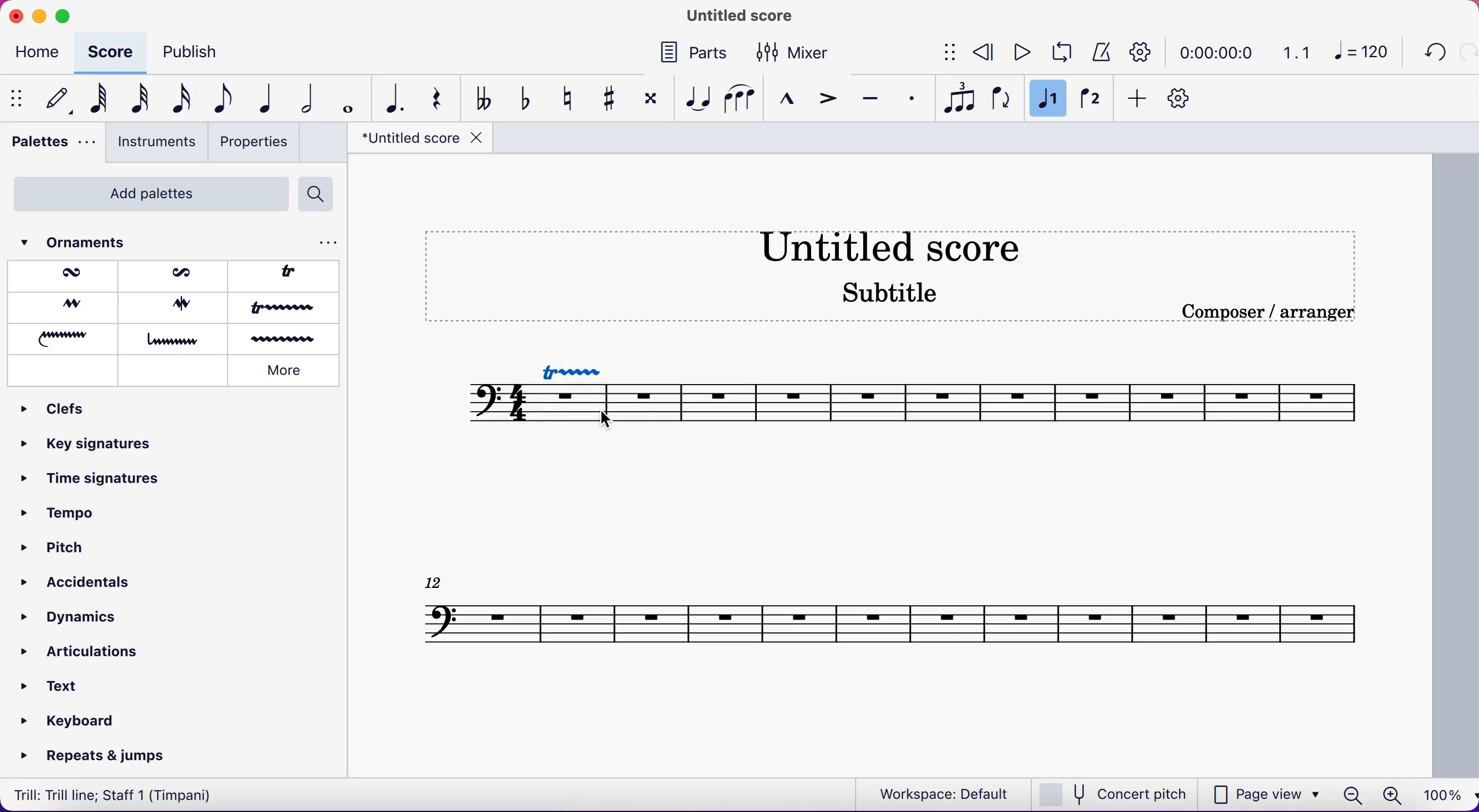 This screenshot has width=1479, height=812. Describe the element at coordinates (607, 97) in the screenshot. I see `toggle sharp` at that location.